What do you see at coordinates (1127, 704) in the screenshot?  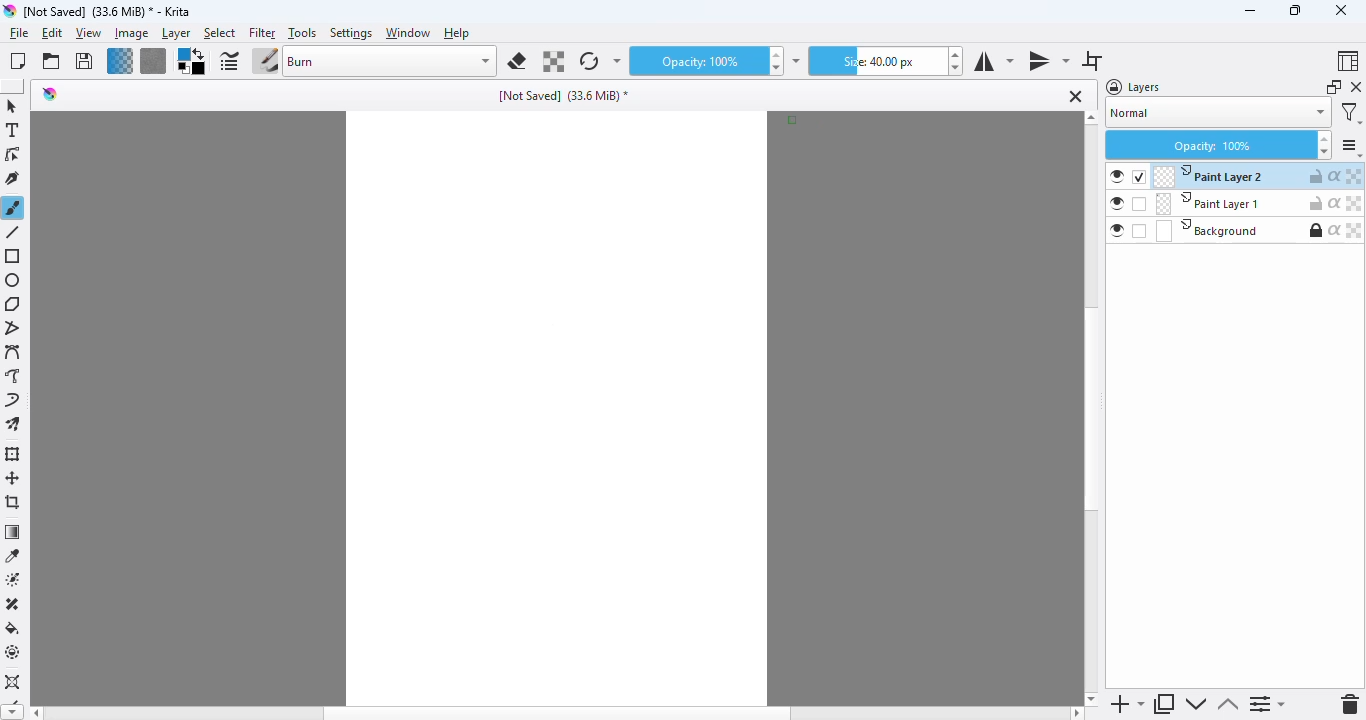 I see `add layer` at bounding box center [1127, 704].